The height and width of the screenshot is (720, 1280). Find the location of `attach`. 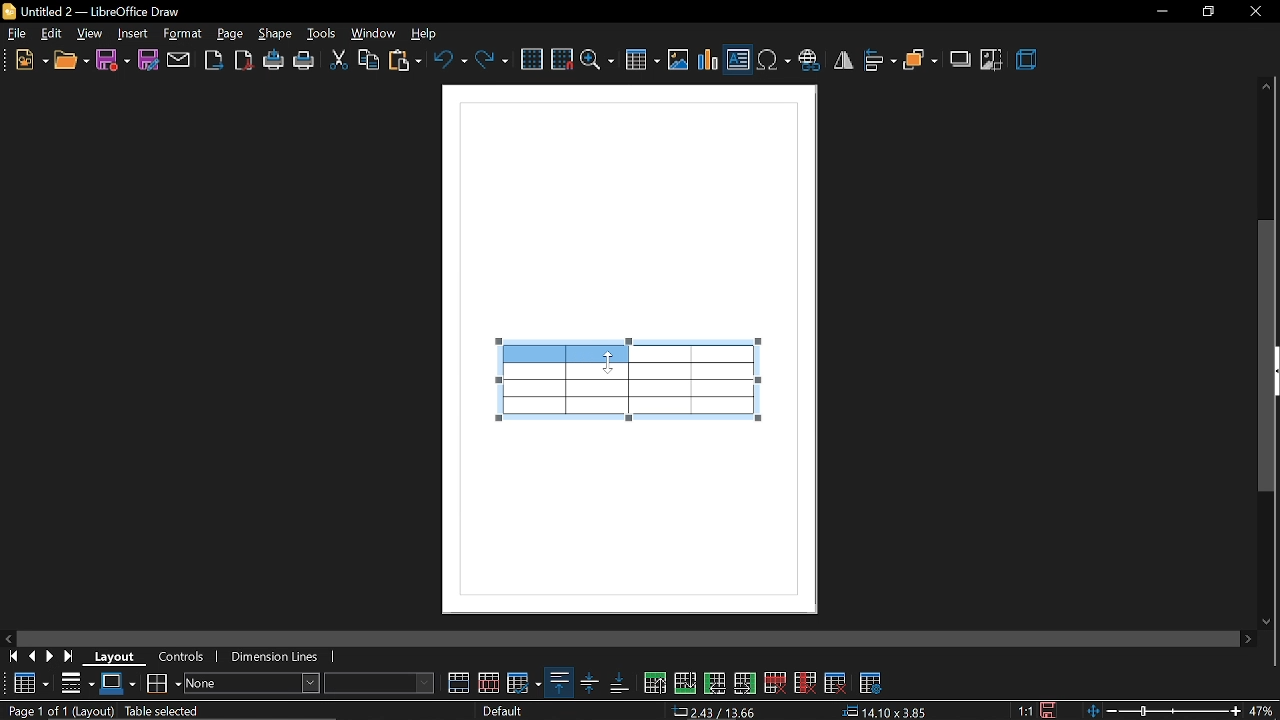

attach is located at coordinates (179, 60).